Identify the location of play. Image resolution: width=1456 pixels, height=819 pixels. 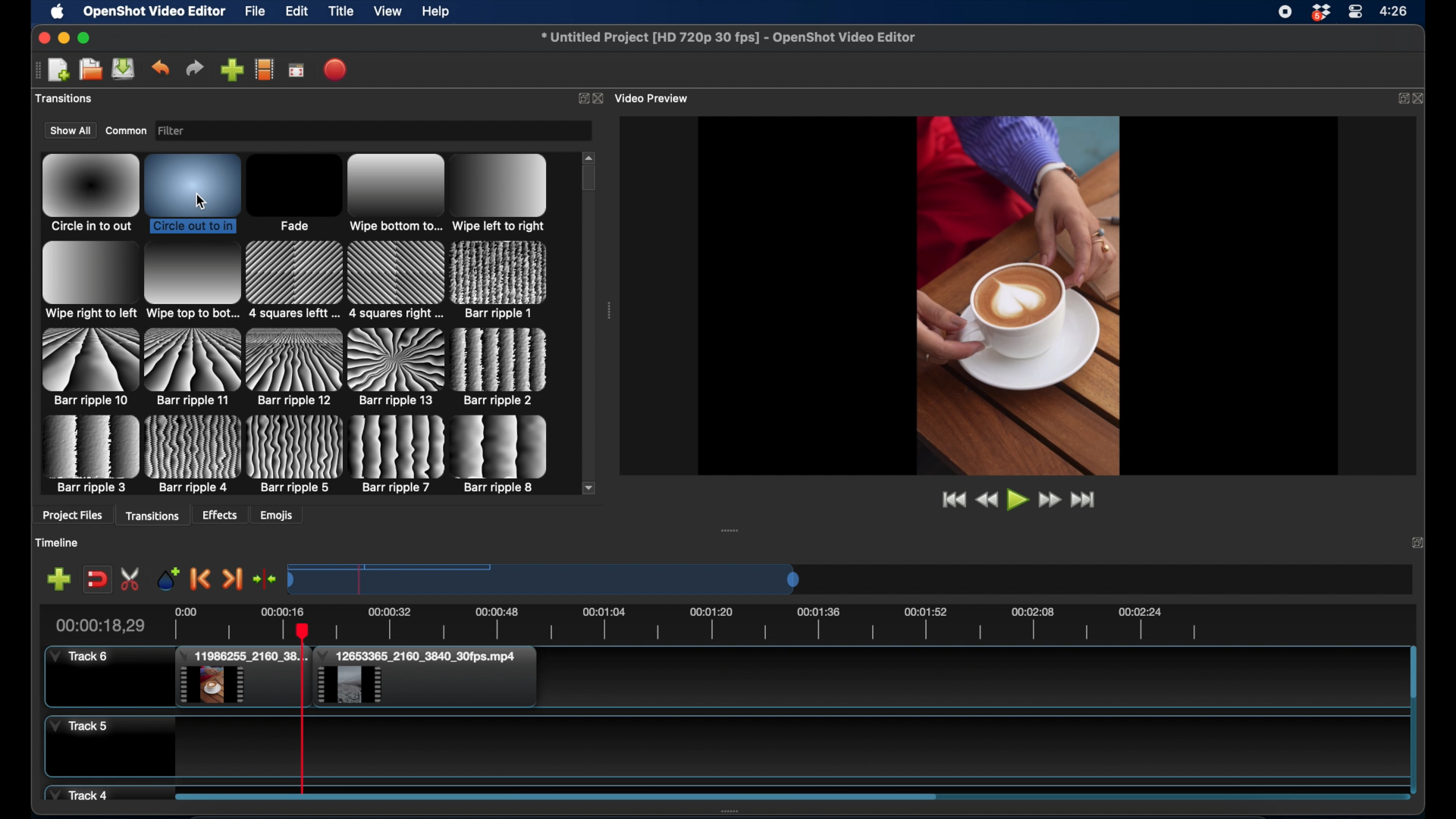
(1017, 501).